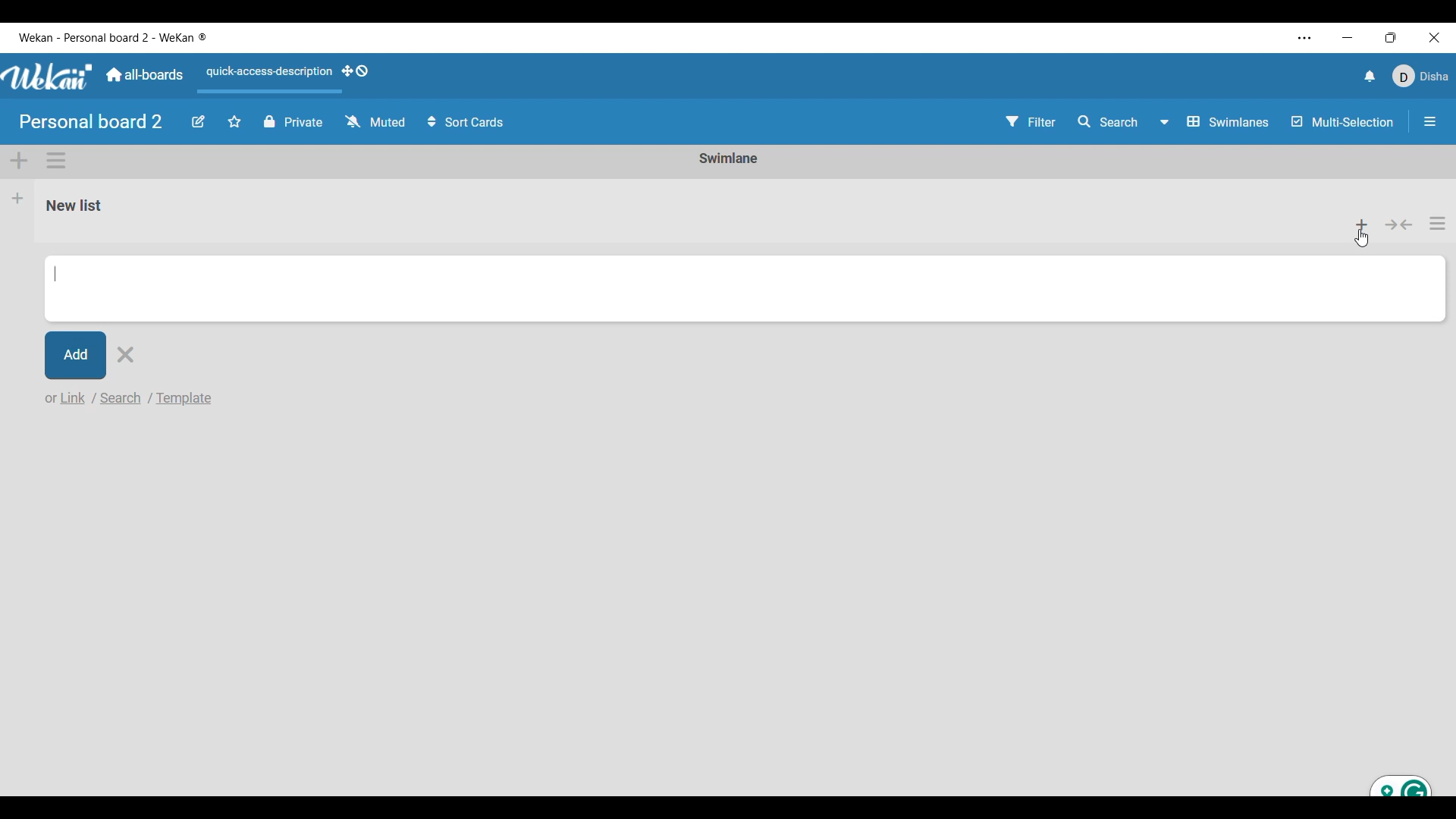  What do you see at coordinates (266, 78) in the screenshot?
I see `Quick access description` at bounding box center [266, 78].